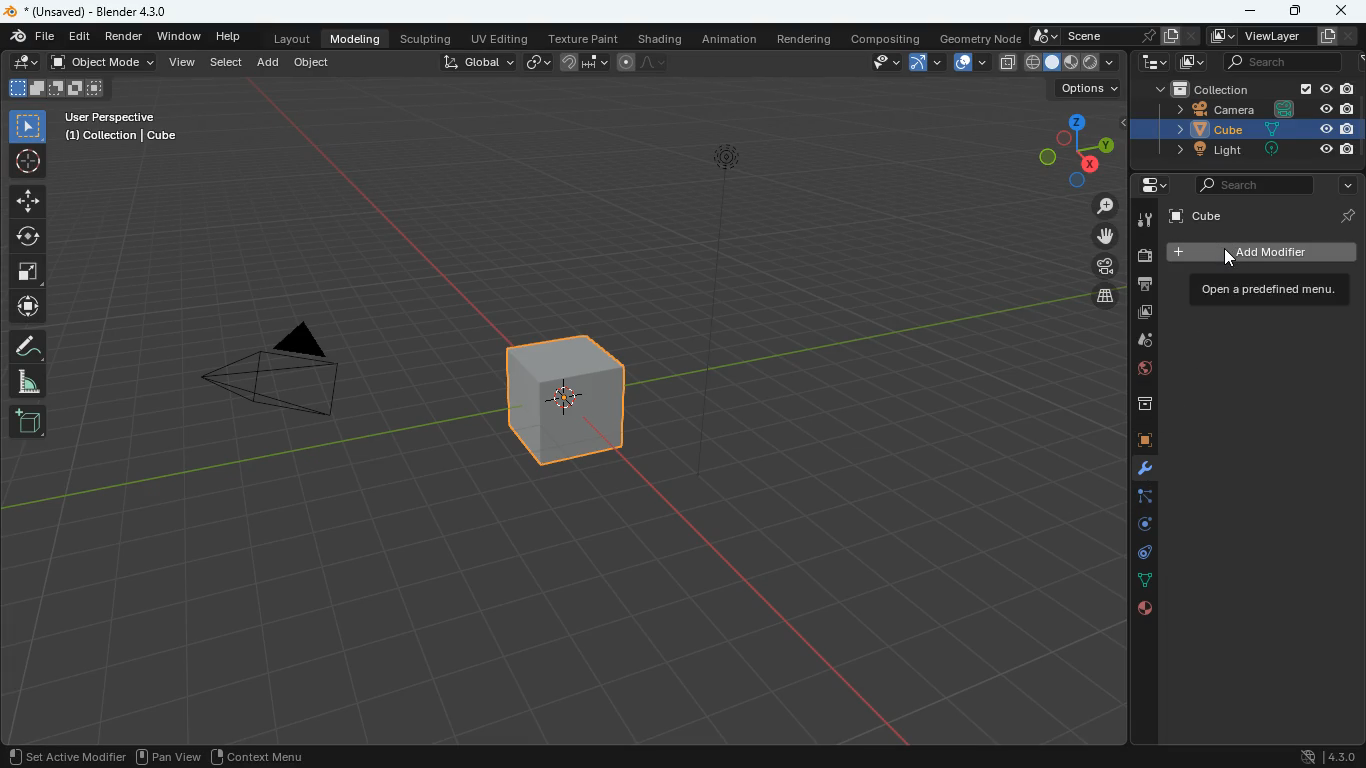  Describe the element at coordinates (1230, 261) in the screenshot. I see `cursor` at that location.